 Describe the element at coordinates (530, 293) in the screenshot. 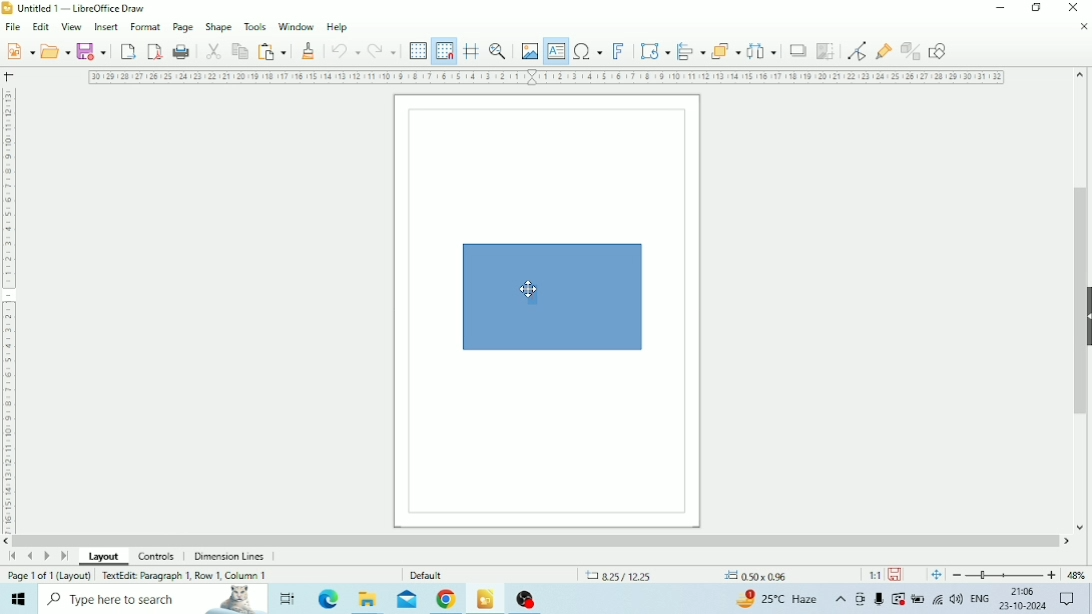

I see `Cursor` at that location.